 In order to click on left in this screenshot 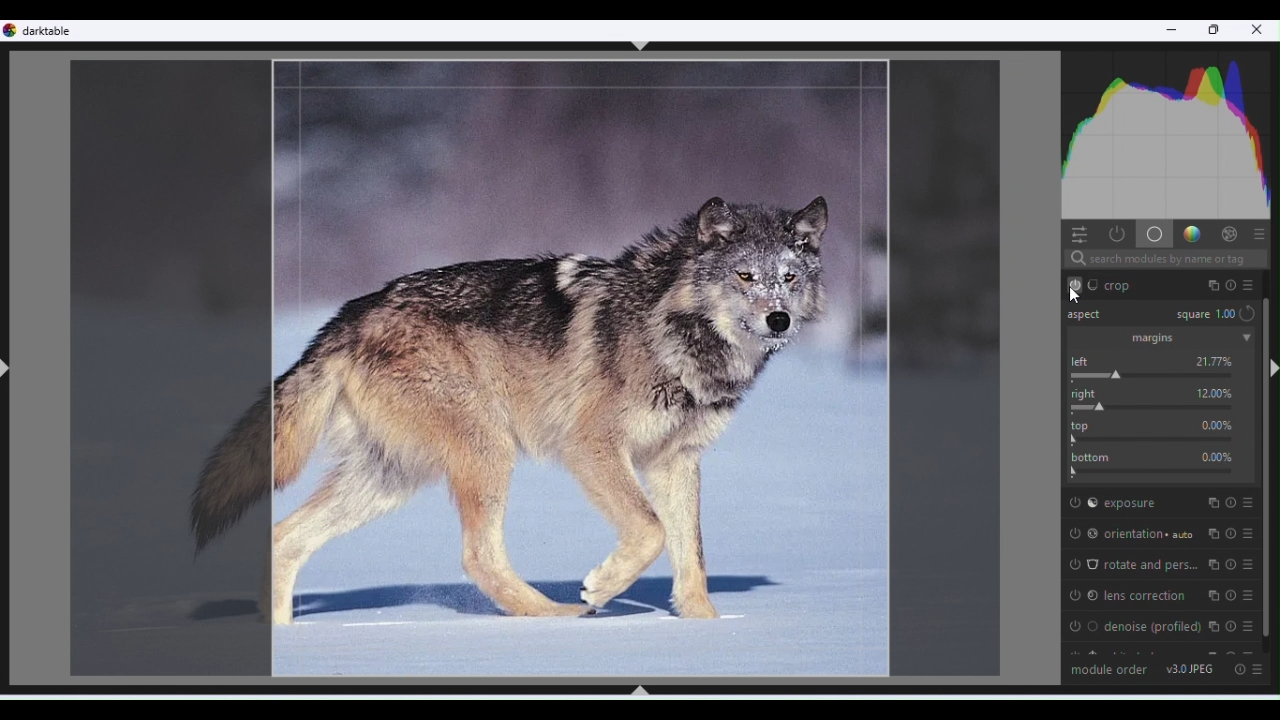, I will do `click(1085, 361)`.